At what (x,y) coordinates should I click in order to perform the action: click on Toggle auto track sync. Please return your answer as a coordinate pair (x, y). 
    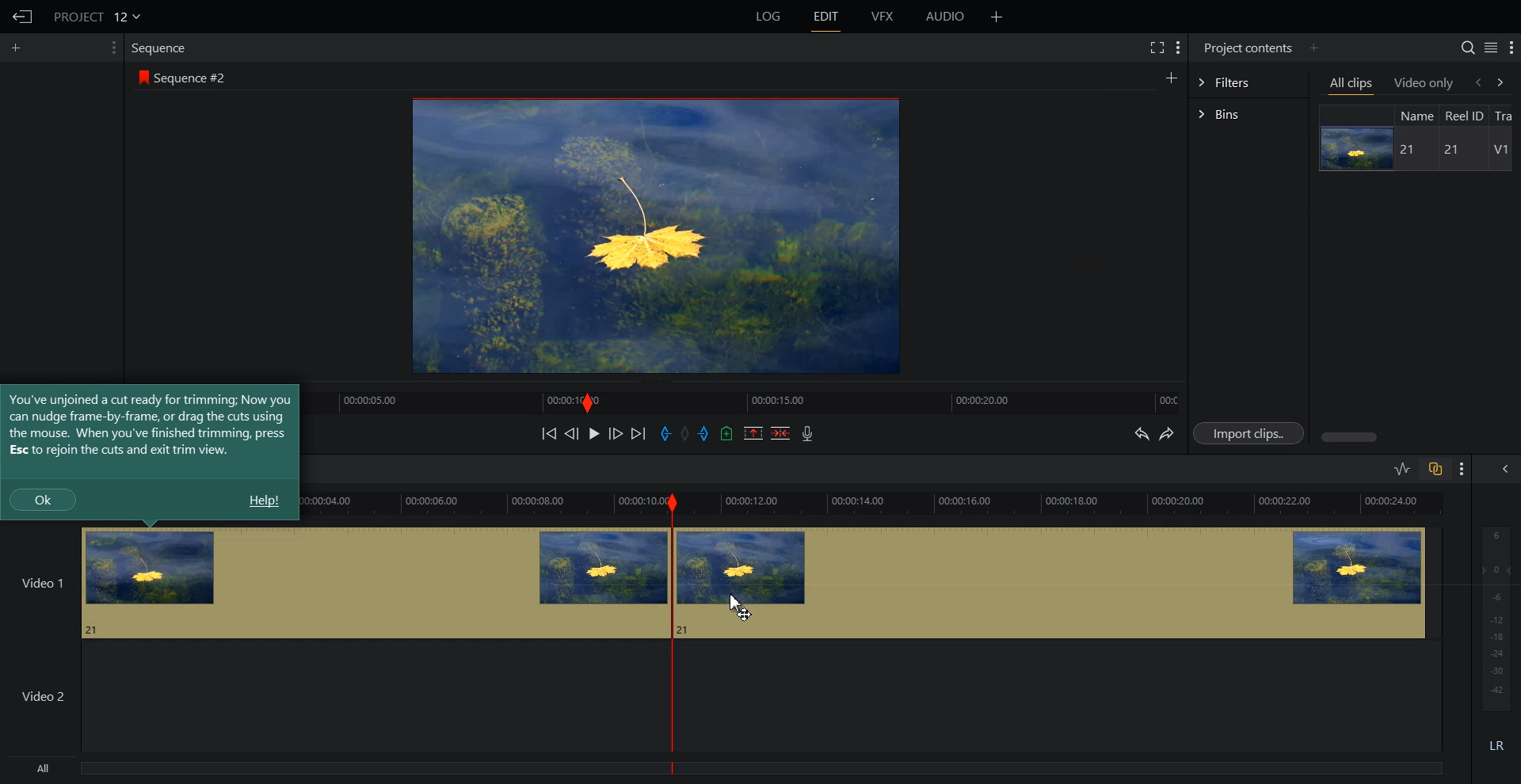
    Looking at the image, I should click on (1435, 468).